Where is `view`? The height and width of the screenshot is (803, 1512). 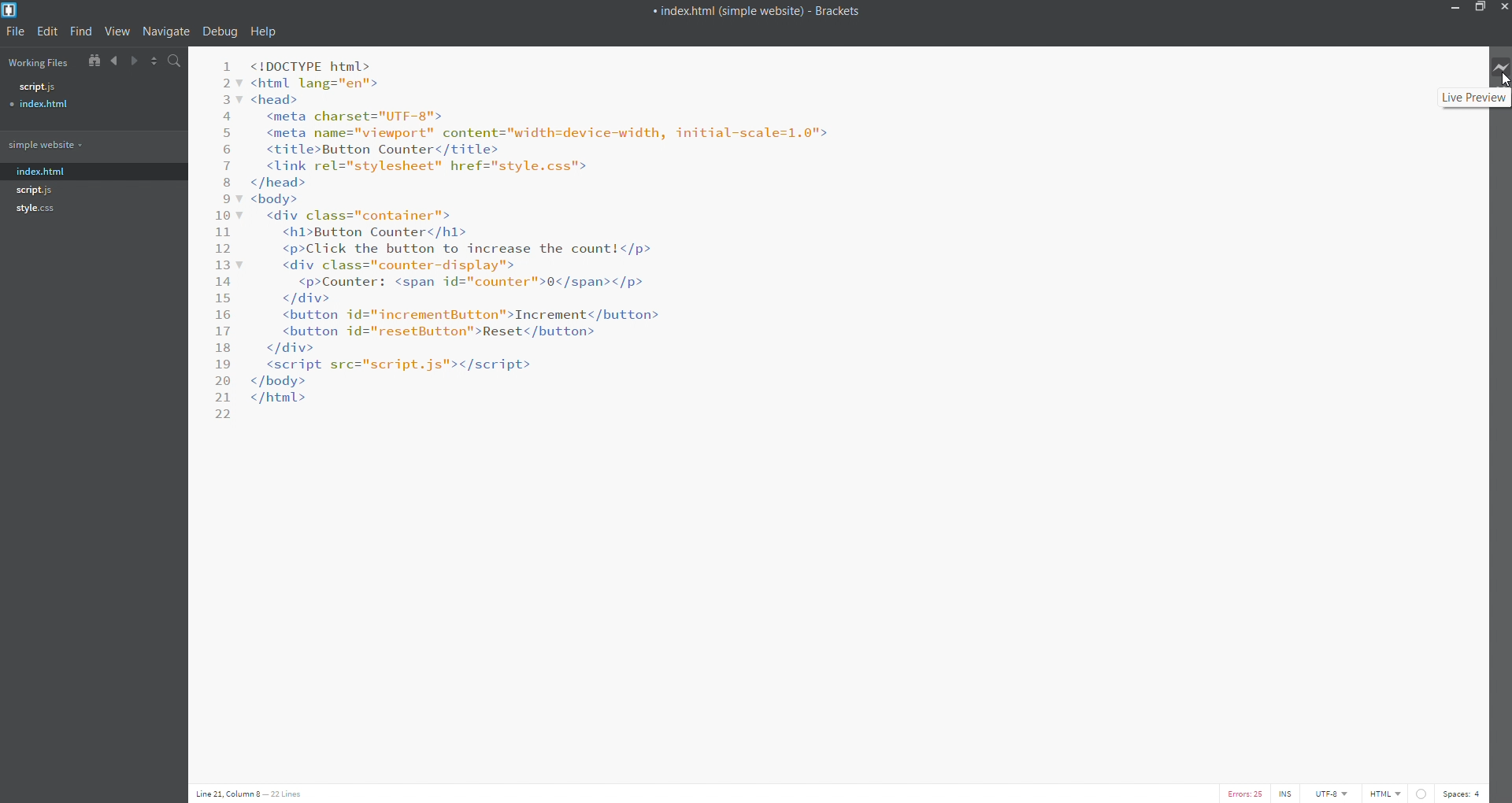 view is located at coordinates (114, 33).